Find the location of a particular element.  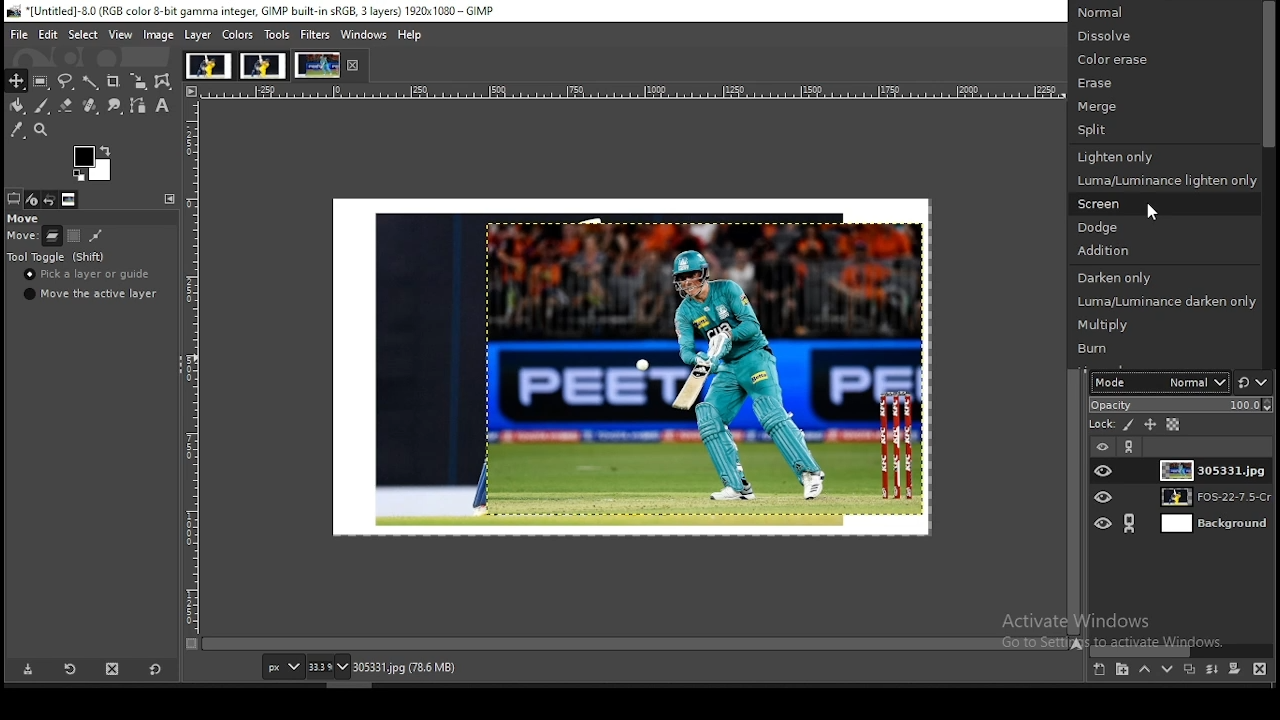

scale is located at coordinates (629, 92).